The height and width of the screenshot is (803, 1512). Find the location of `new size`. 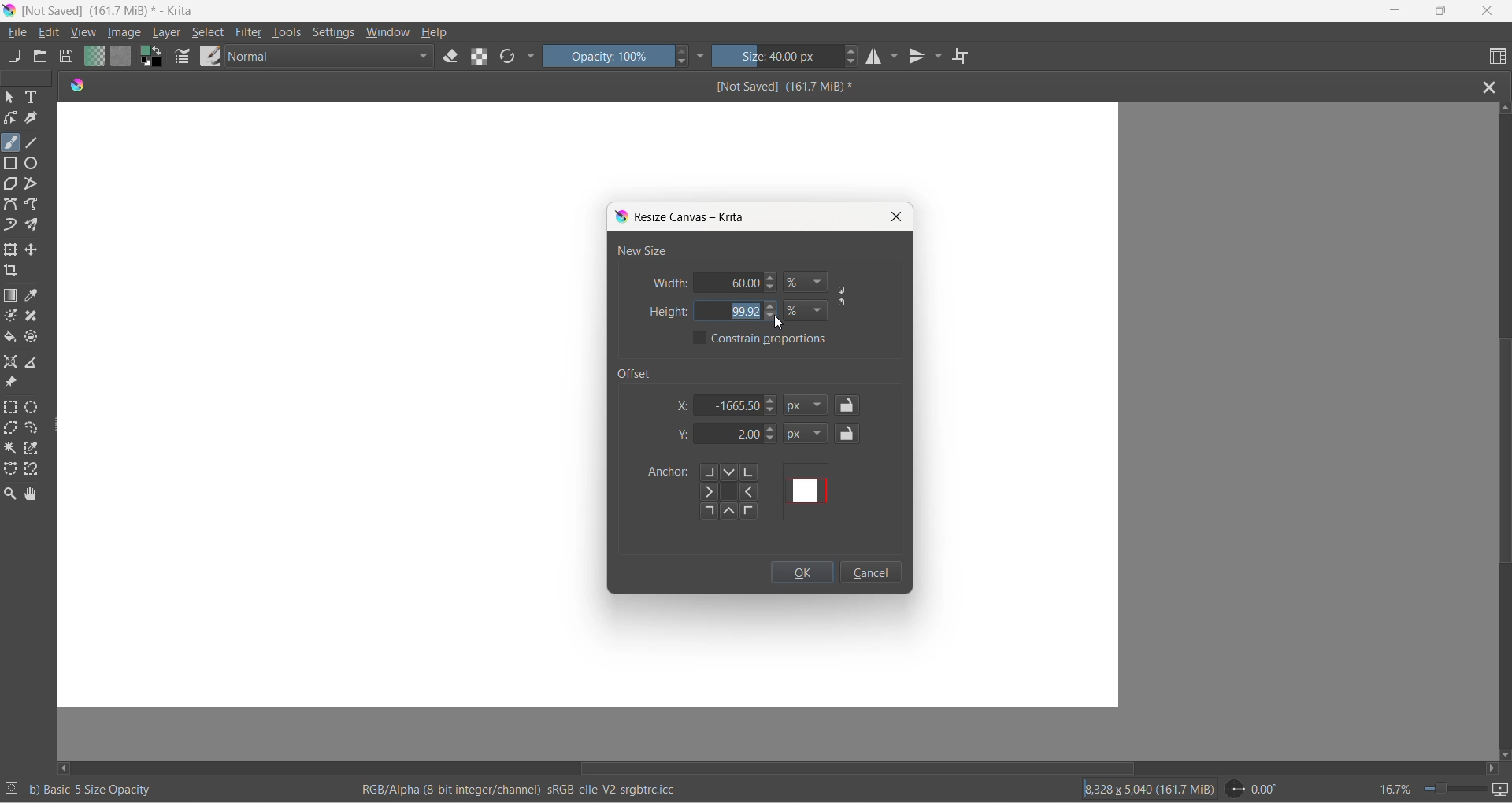

new size is located at coordinates (642, 250).